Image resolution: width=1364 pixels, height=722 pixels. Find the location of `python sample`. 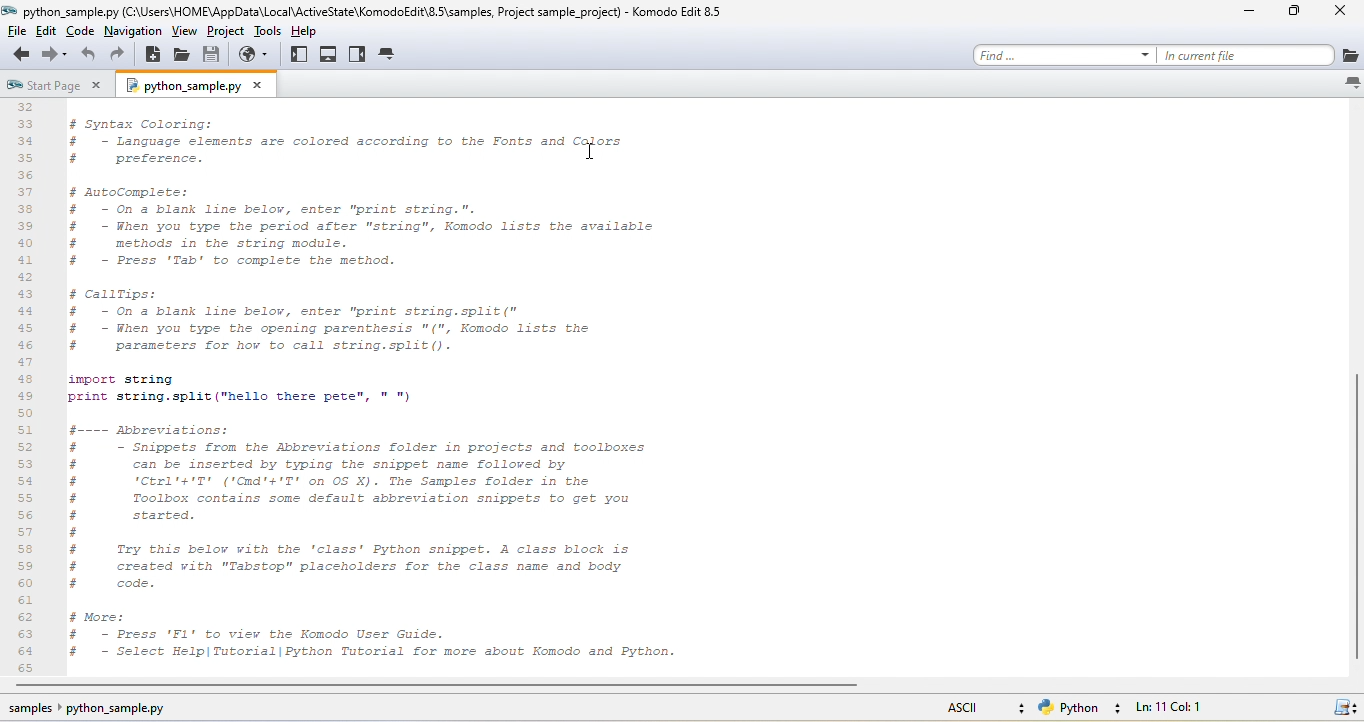

python sample is located at coordinates (216, 86).